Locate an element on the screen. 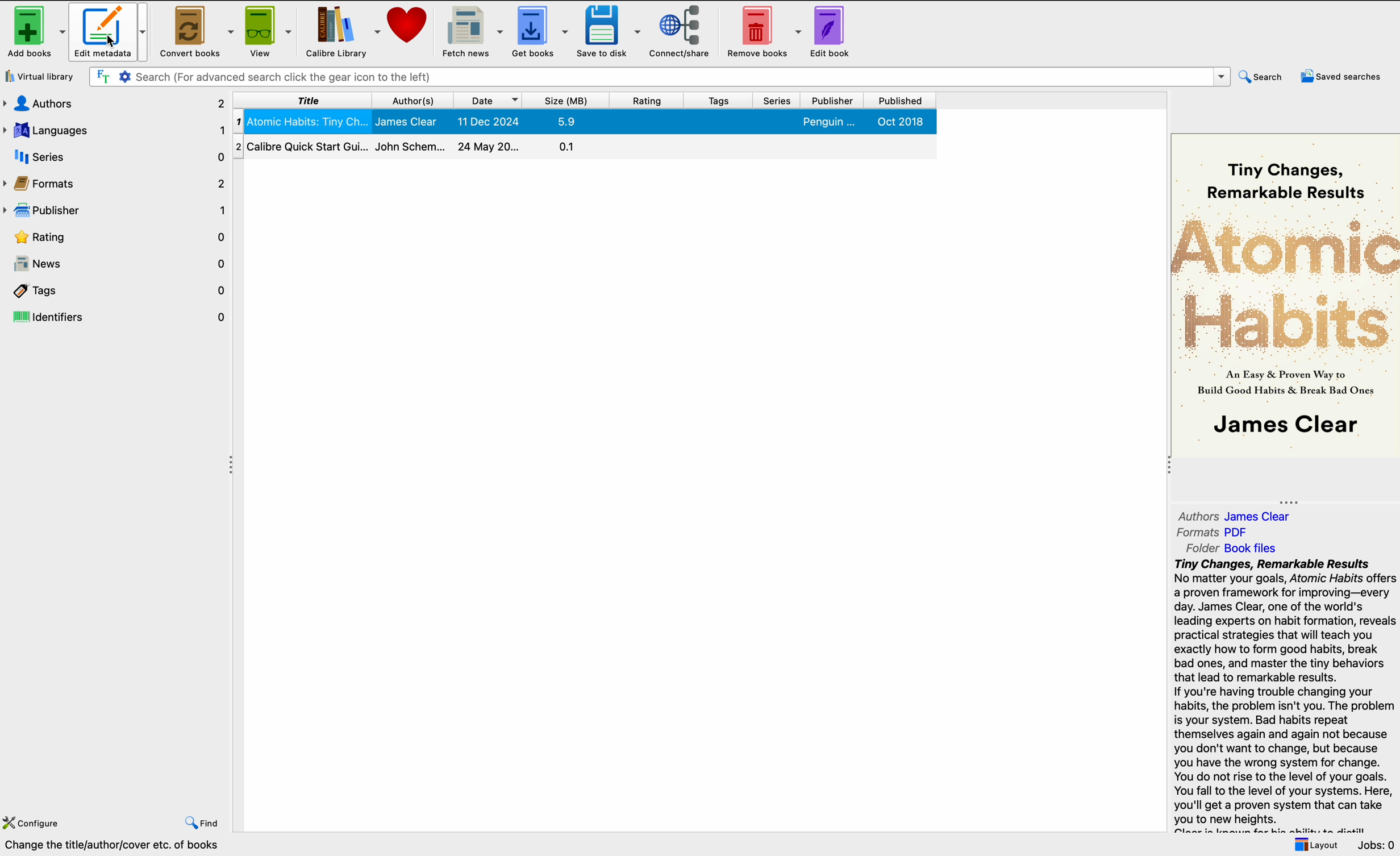 This screenshot has height=856, width=1400. view is located at coordinates (267, 31).